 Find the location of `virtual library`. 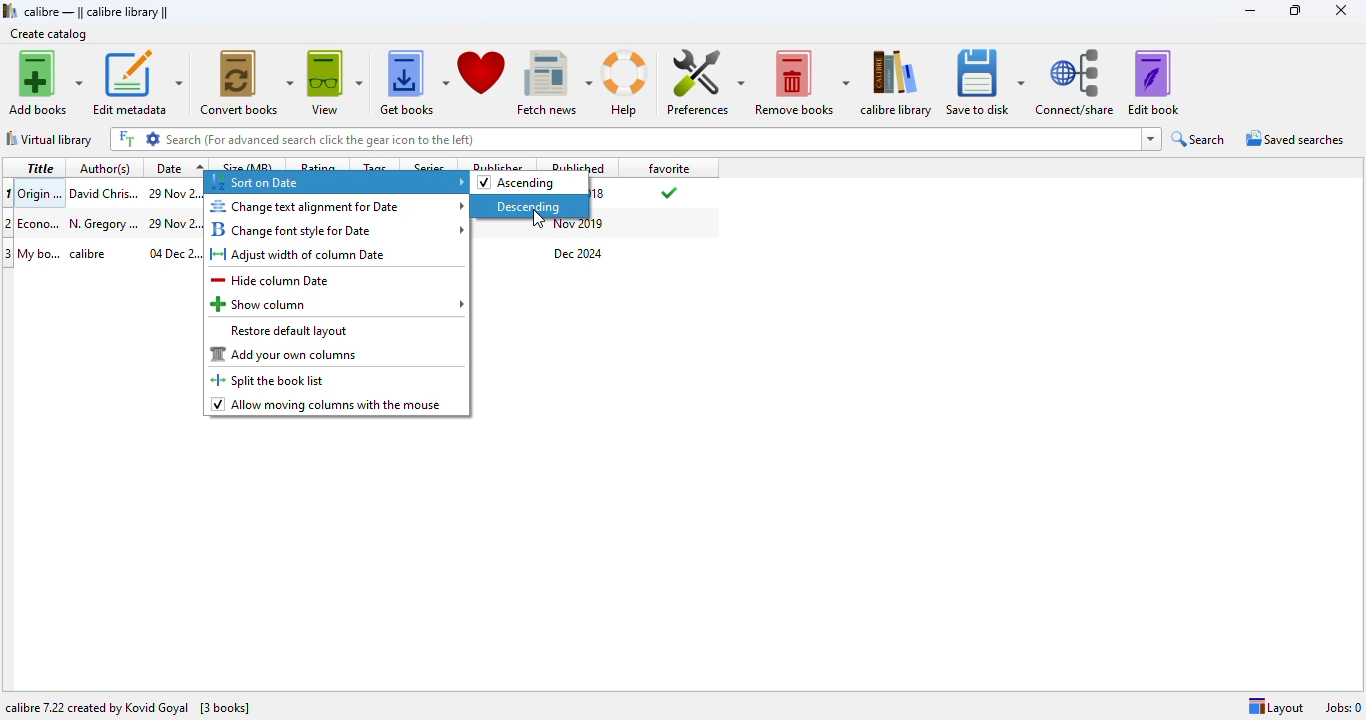

virtual library is located at coordinates (50, 139).